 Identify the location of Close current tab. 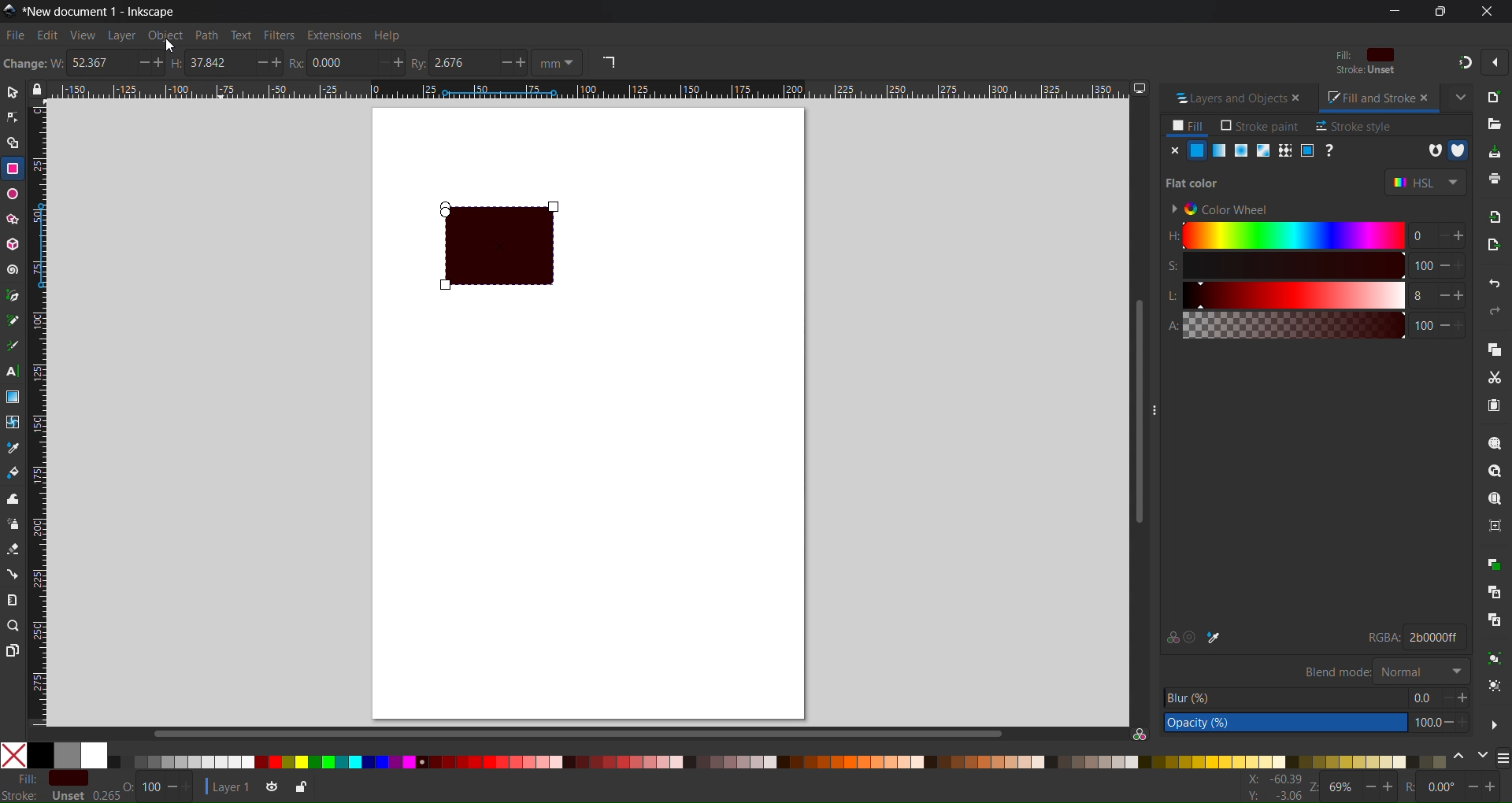
(1459, 95).